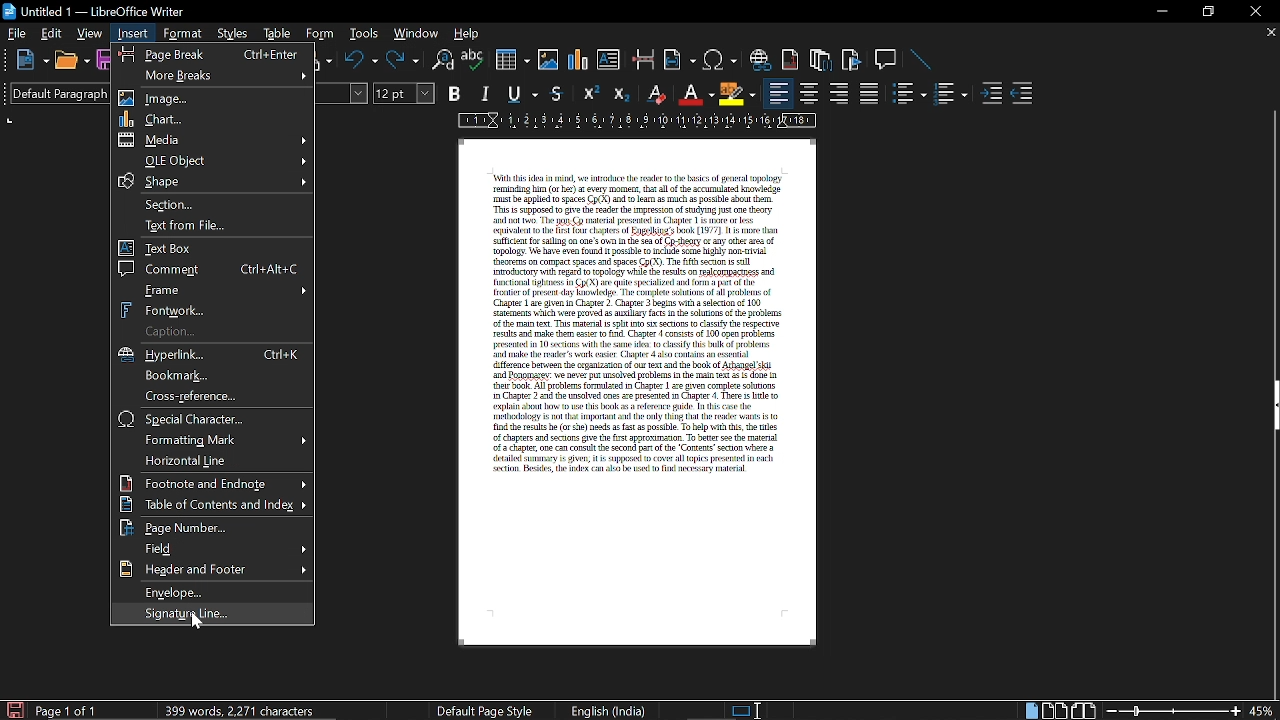  I want to click on insert hyprelink, so click(760, 59).